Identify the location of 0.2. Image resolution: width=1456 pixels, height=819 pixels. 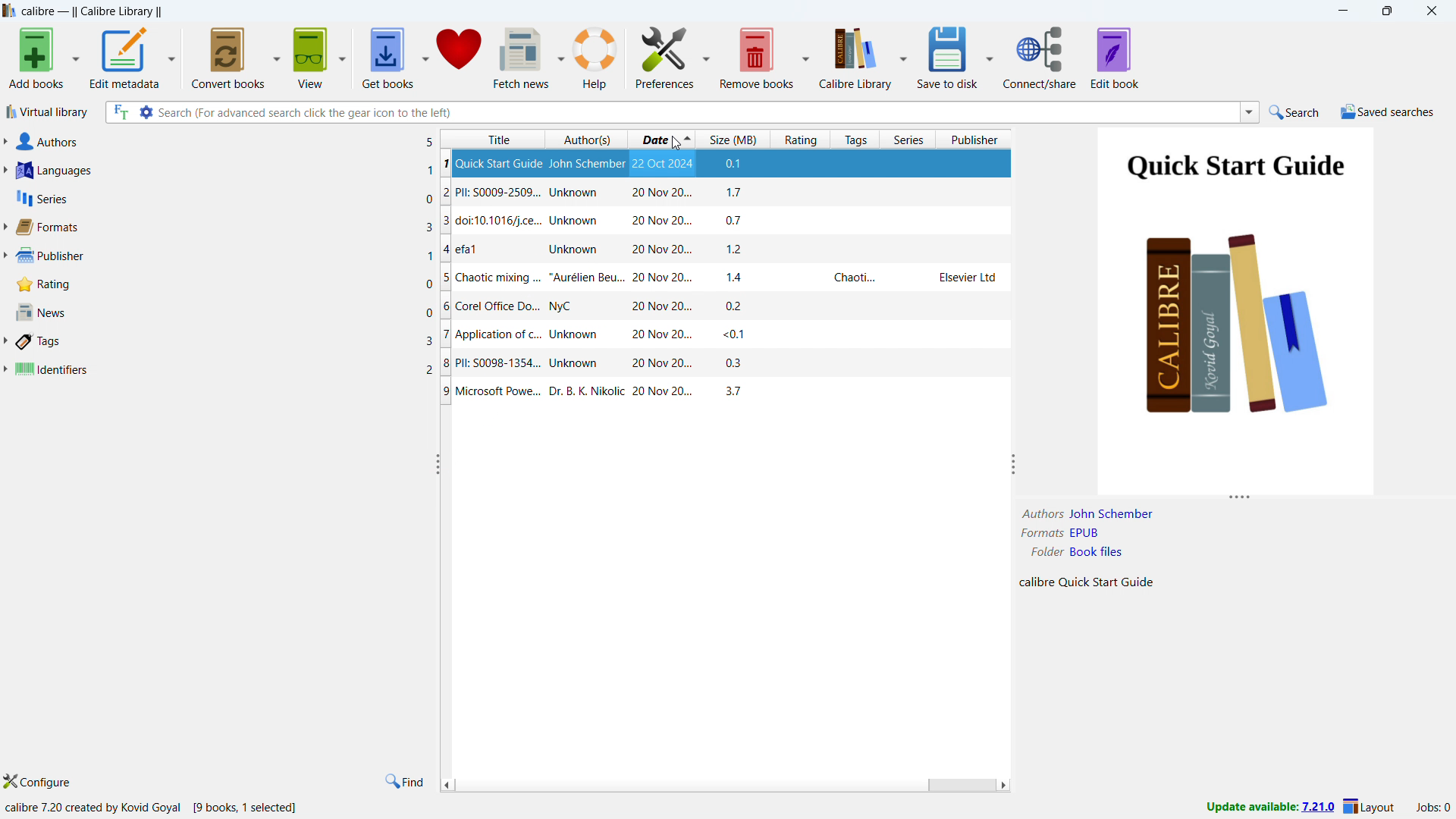
(739, 365).